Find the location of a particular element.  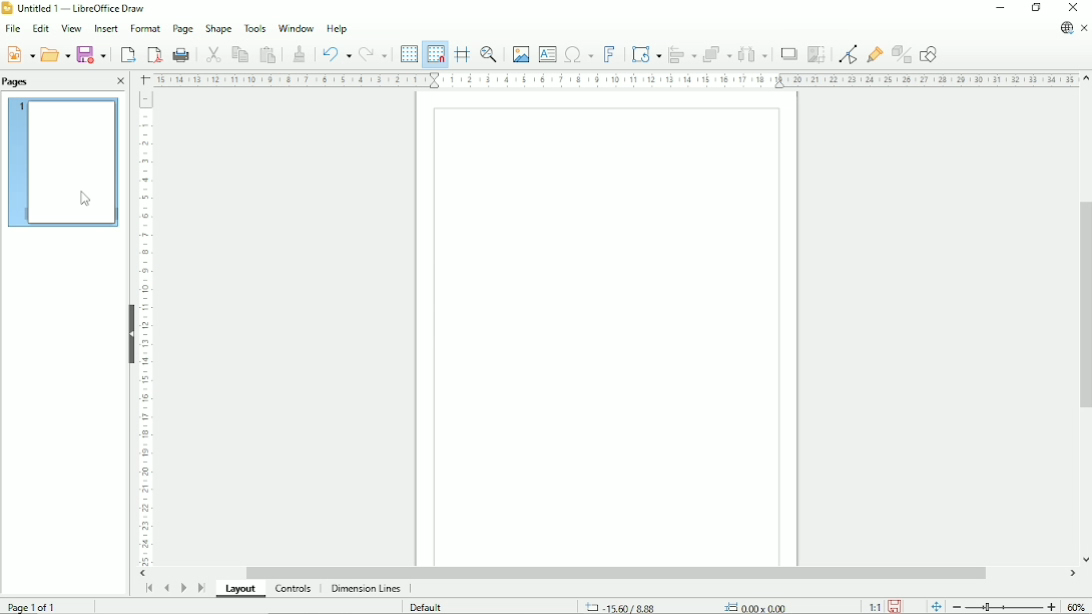

Horizontal scrollbar is located at coordinates (615, 573).